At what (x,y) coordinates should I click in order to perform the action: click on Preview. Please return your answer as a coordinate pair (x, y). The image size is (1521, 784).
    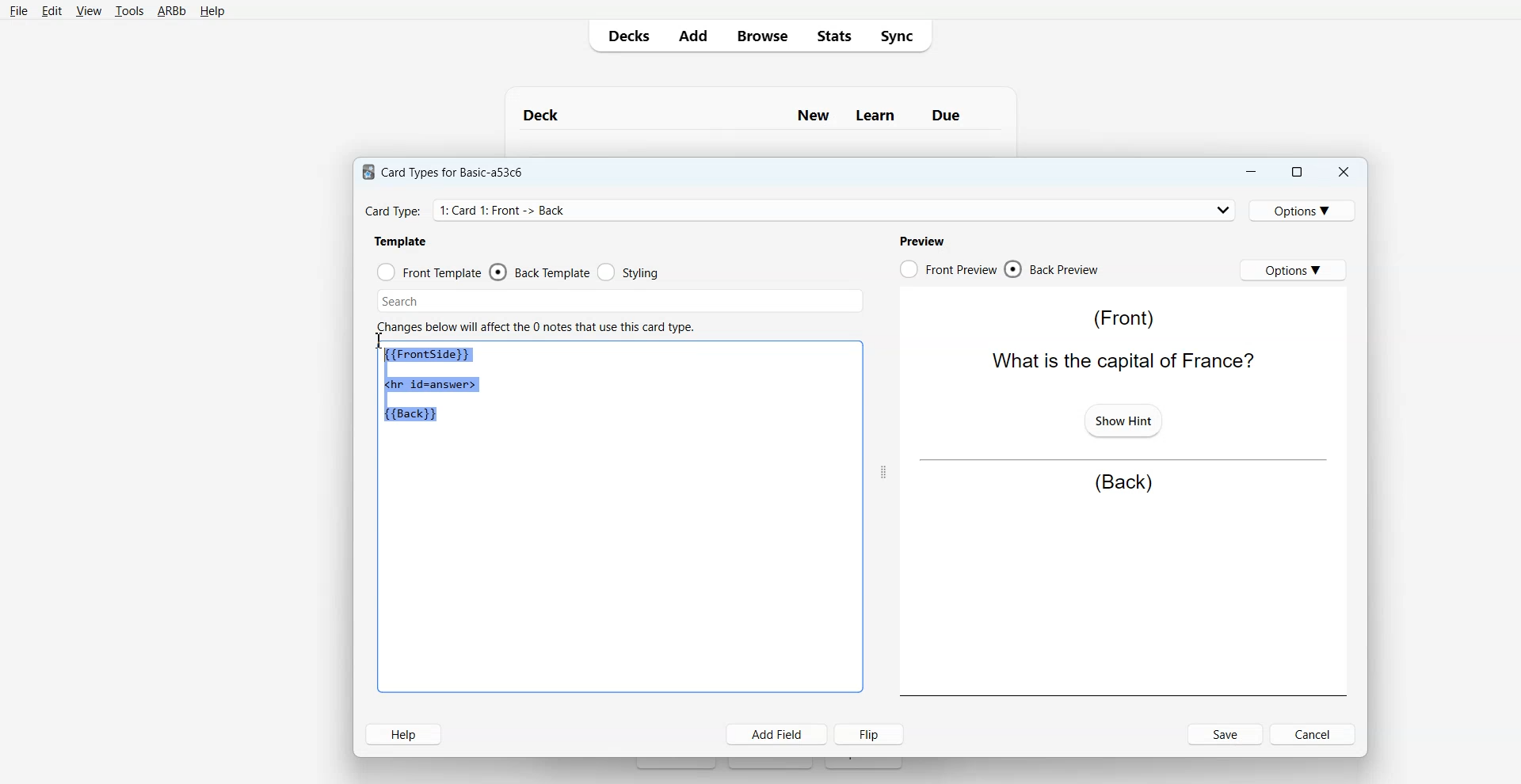
    Looking at the image, I should click on (921, 241).